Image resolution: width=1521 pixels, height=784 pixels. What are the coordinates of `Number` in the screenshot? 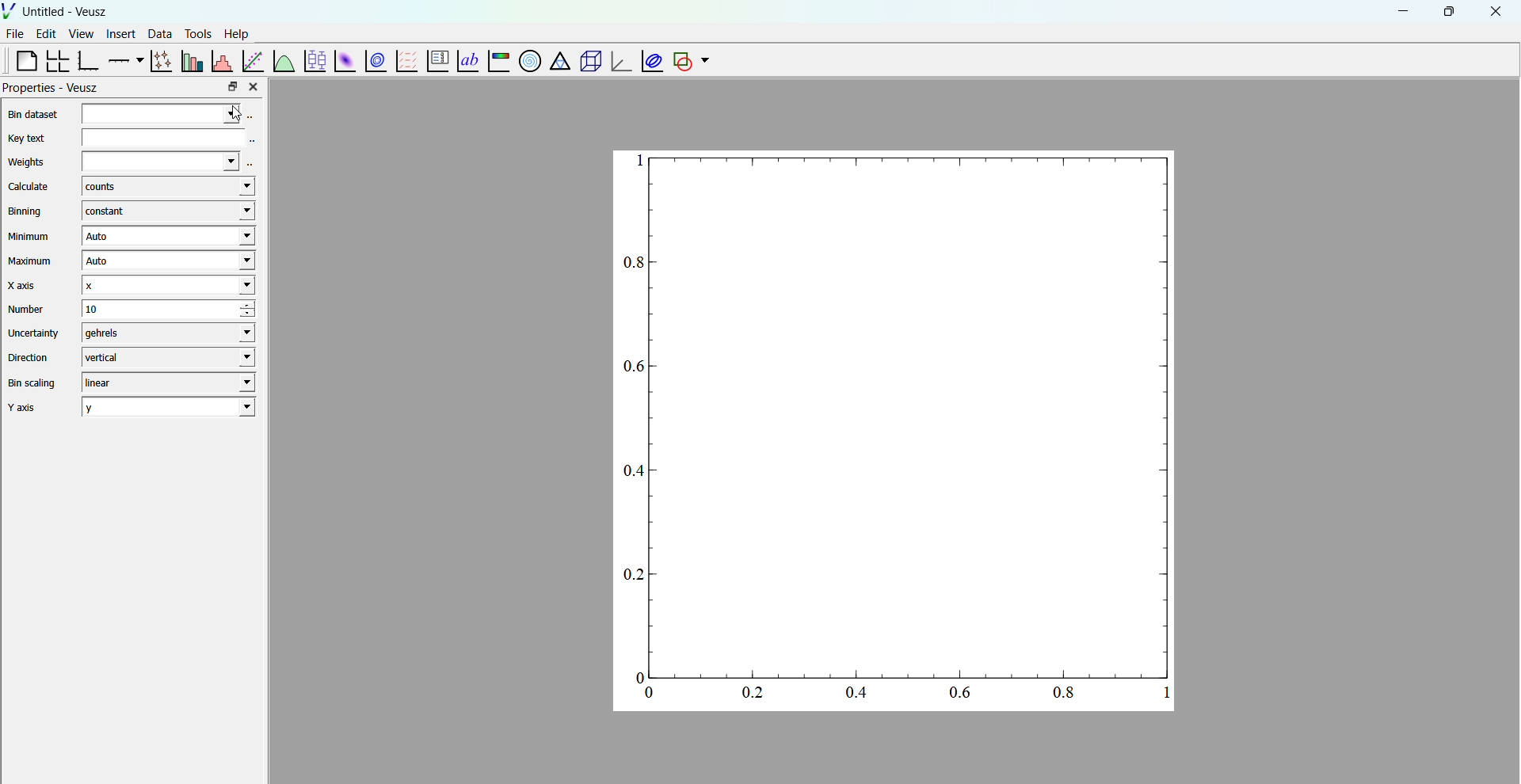 It's located at (27, 309).